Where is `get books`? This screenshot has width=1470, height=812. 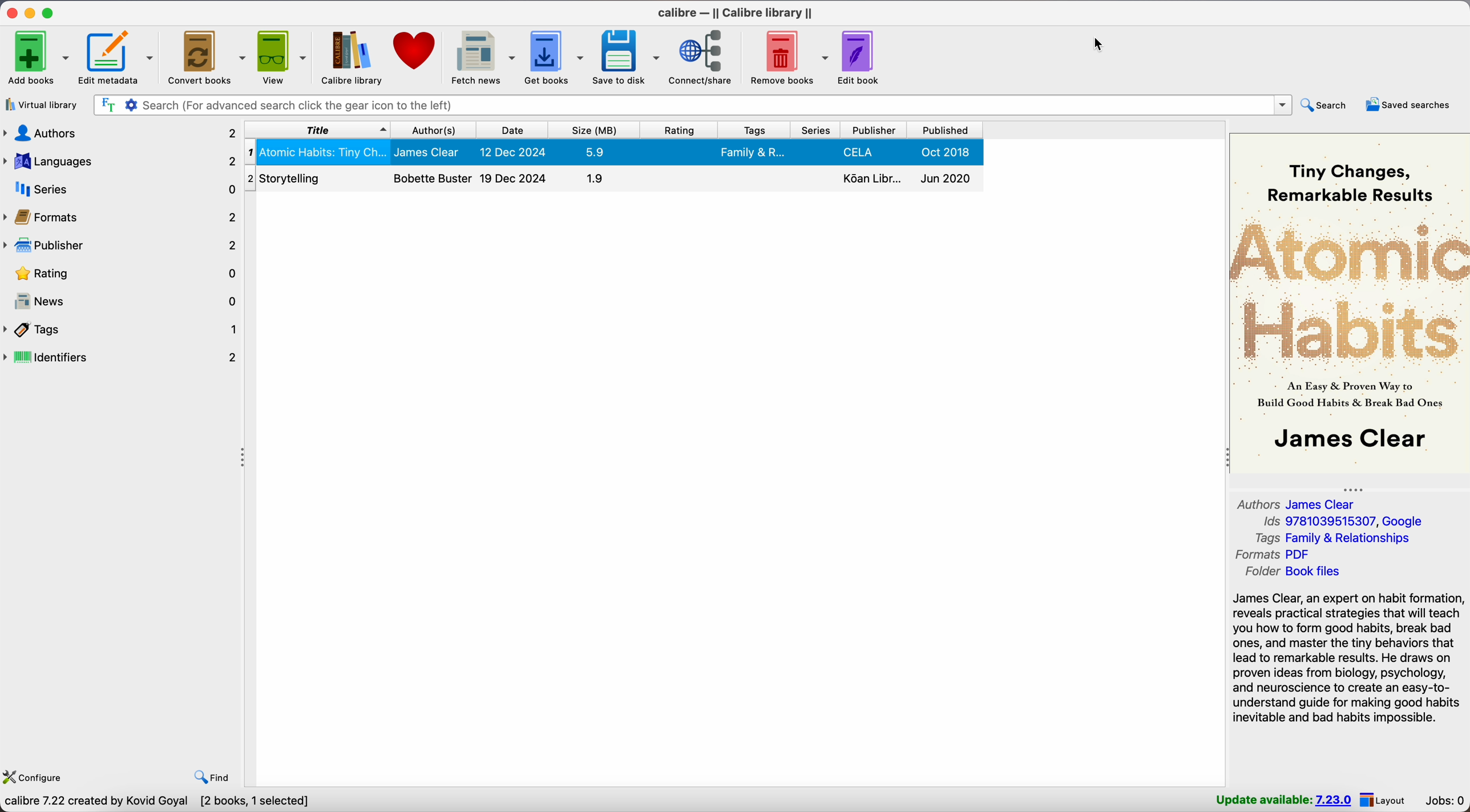 get books is located at coordinates (555, 57).